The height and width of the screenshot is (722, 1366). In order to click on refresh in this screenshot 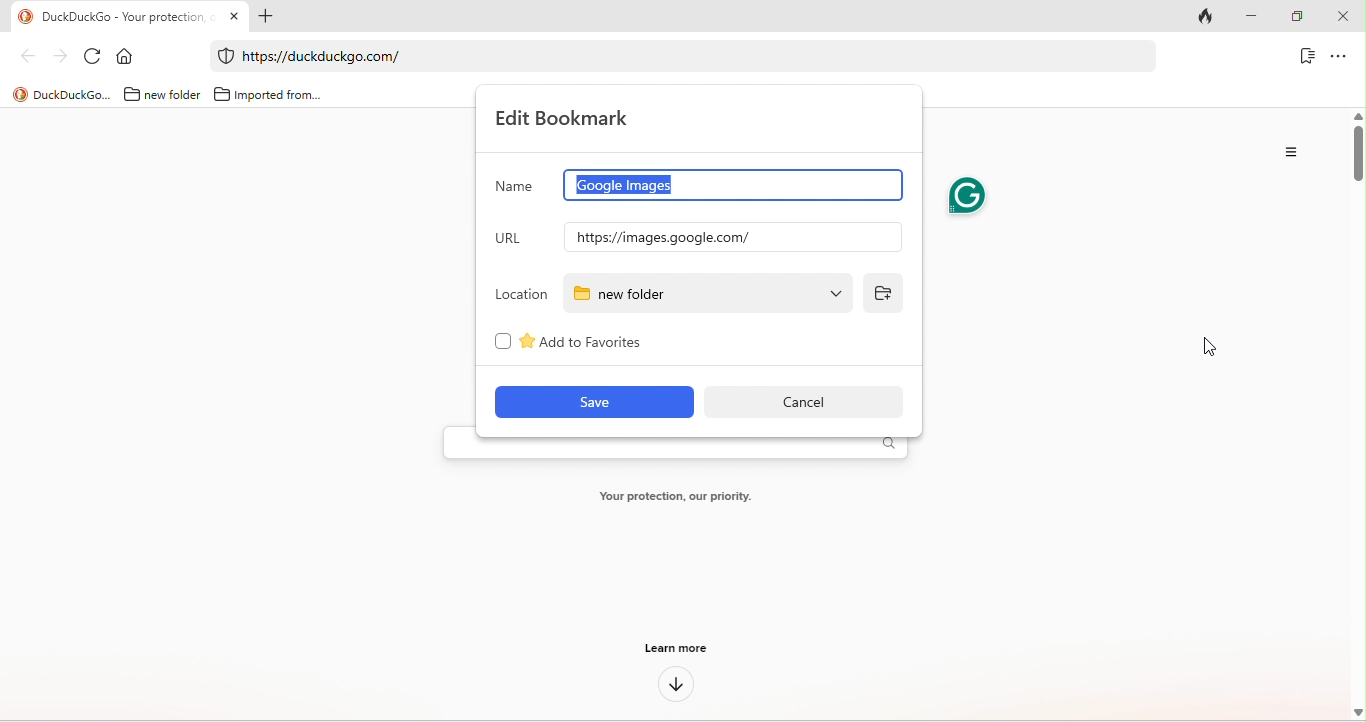, I will do `click(92, 55)`.